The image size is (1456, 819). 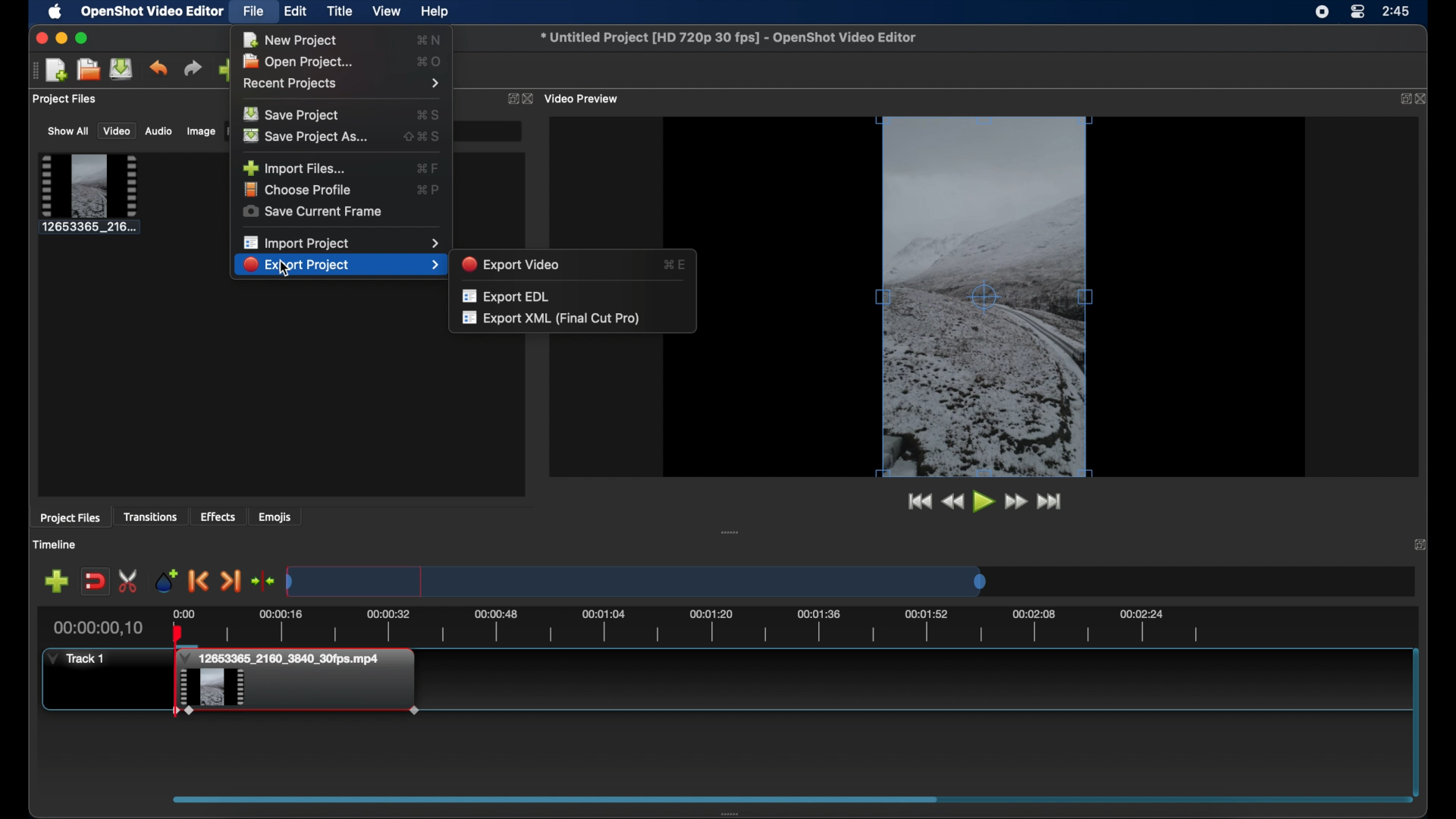 What do you see at coordinates (117, 131) in the screenshot?
I see `video` at bounding box center [117, 131].